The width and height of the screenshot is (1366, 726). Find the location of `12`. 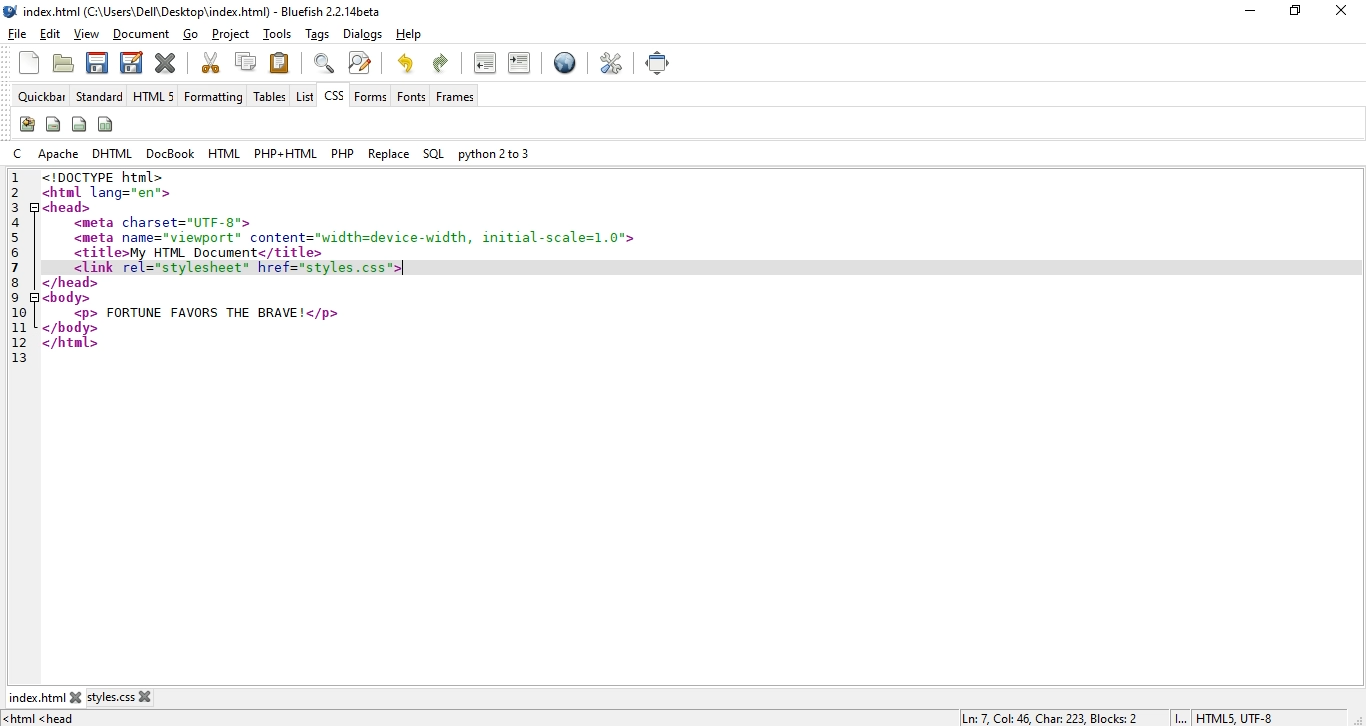

12 is located at coordinates (15, 341).